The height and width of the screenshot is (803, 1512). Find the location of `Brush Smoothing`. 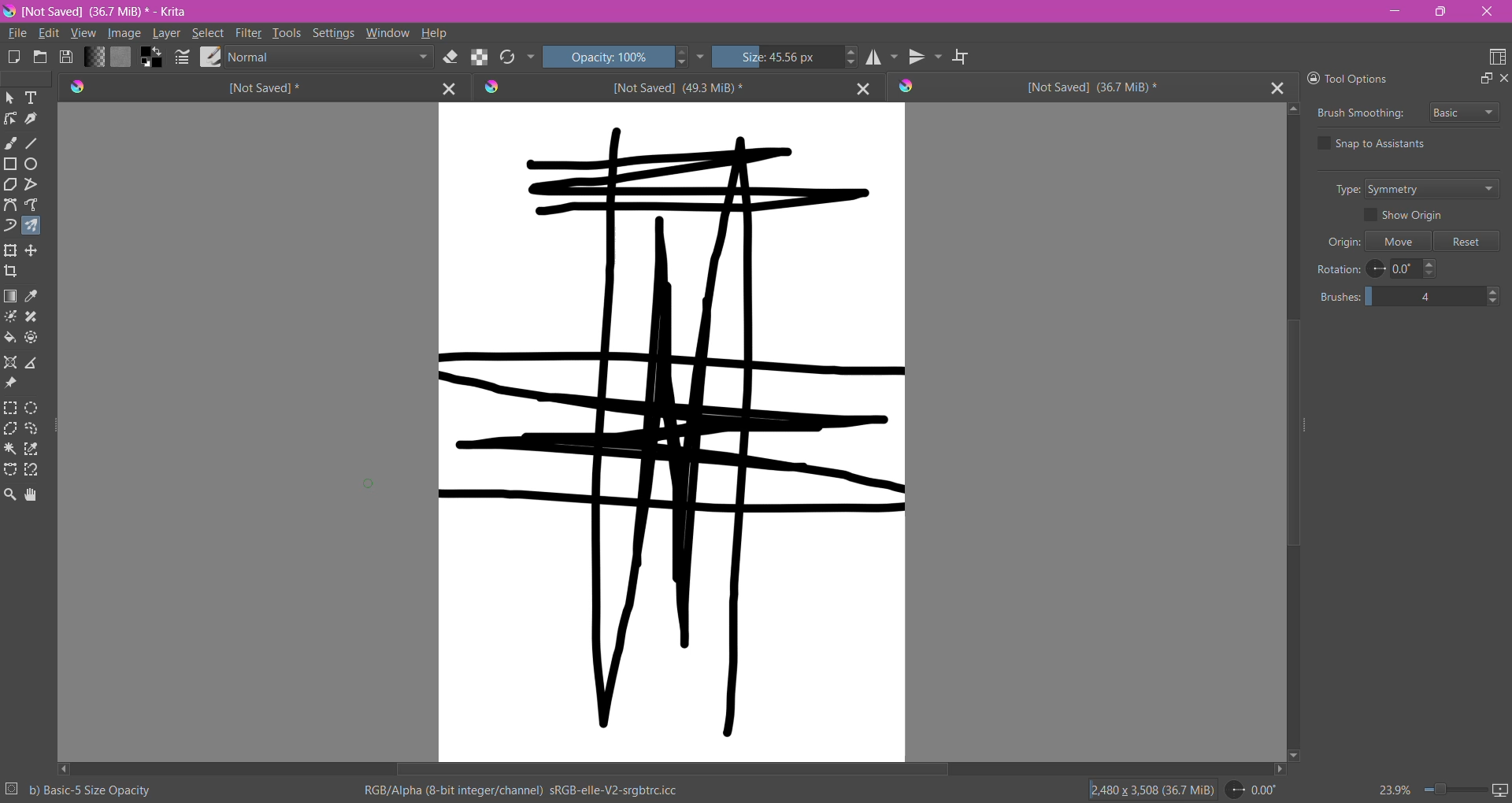

Brush Smoothing is located at coordinates (1358, 115).